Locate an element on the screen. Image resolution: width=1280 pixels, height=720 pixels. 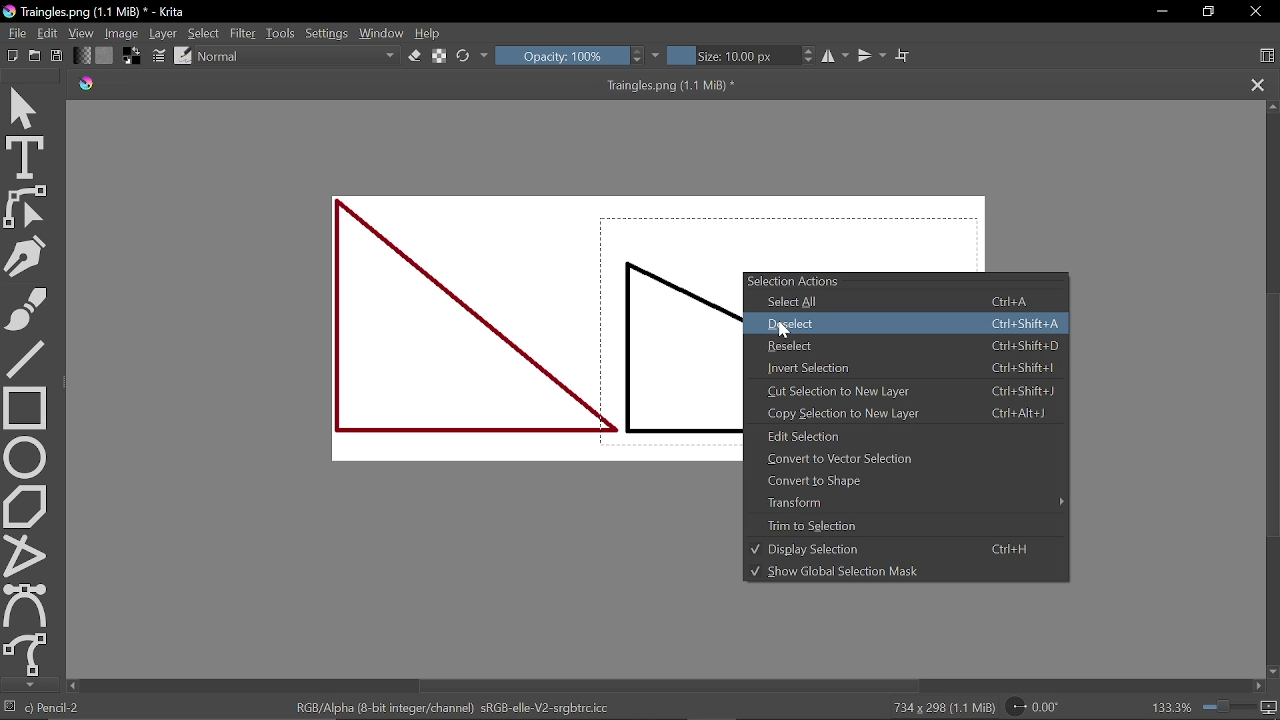
Window is located at coordinates (382, 33).